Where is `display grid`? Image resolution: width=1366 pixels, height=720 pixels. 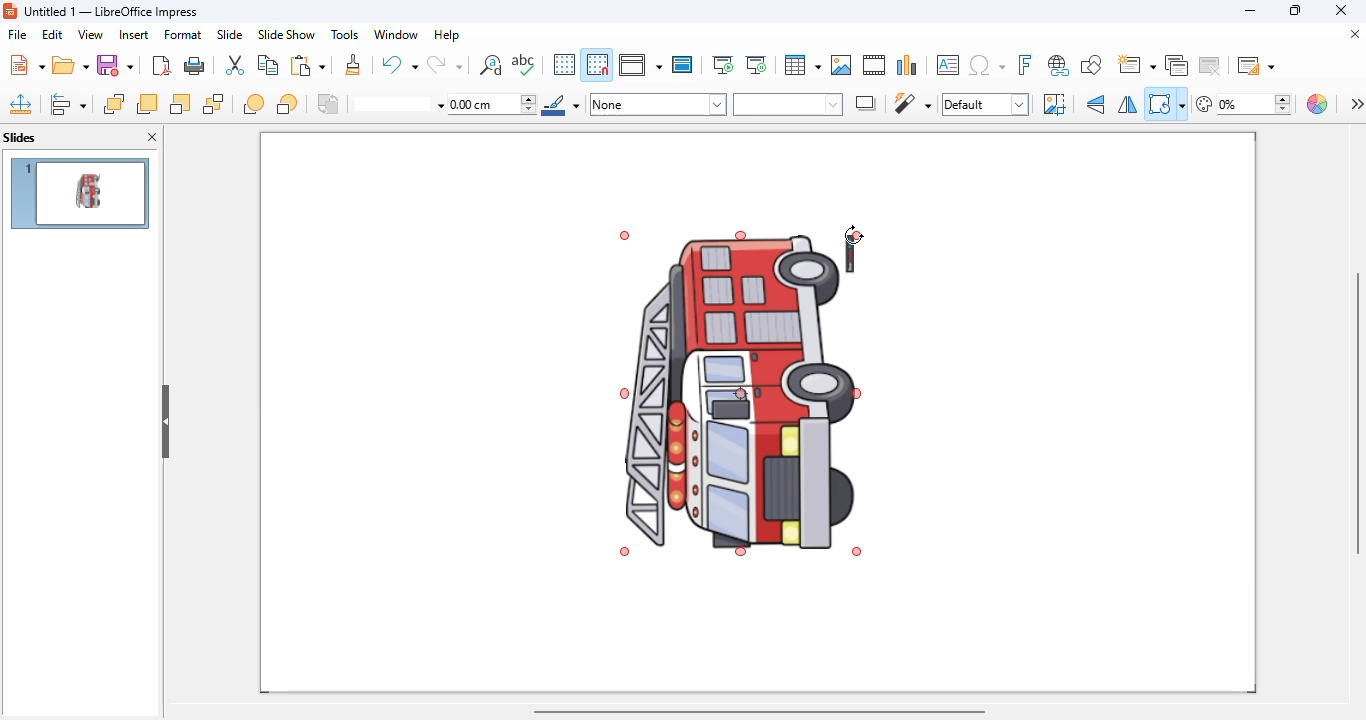 display grid is located at coordinates (564, 65).